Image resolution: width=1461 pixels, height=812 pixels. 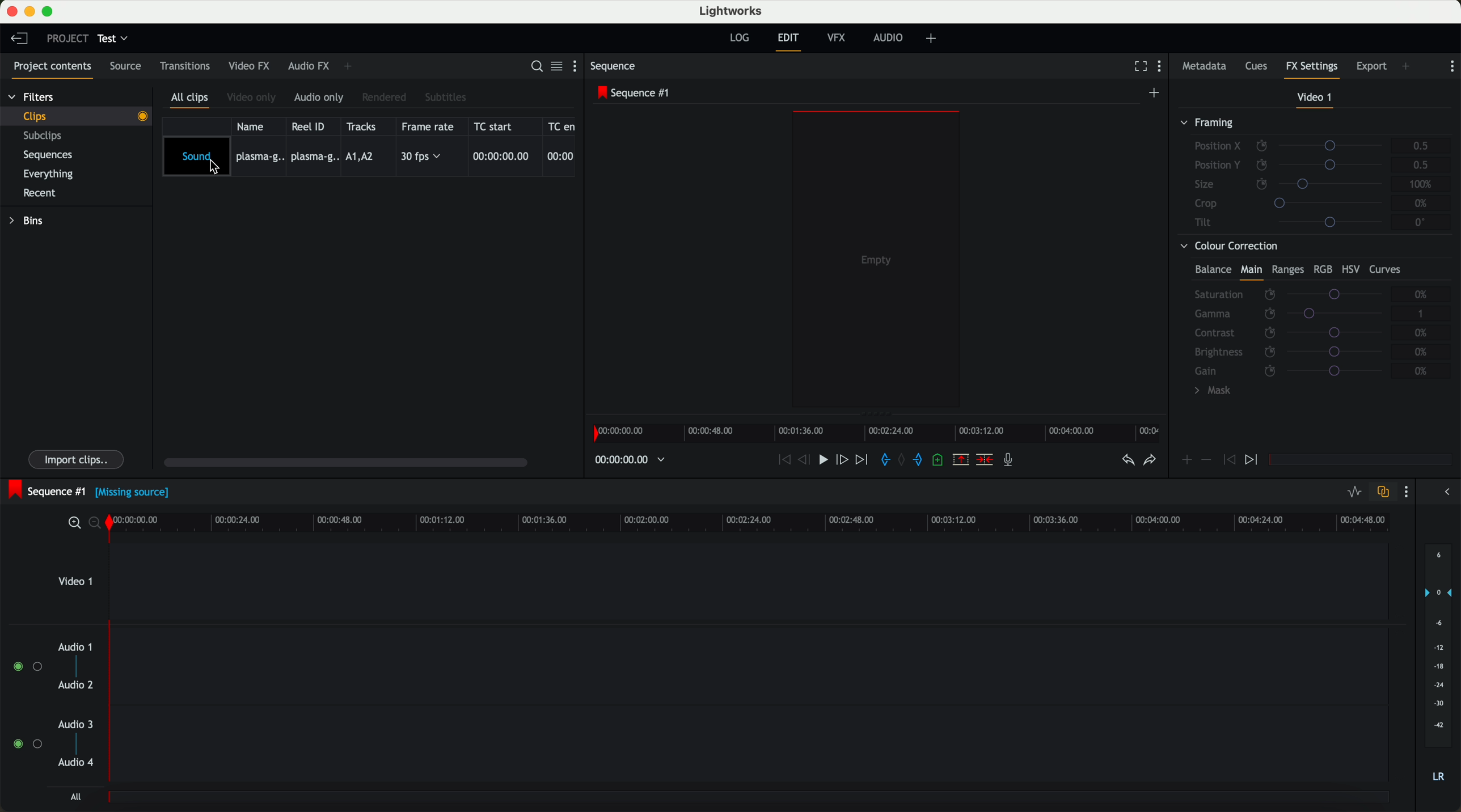 I want to click on exit, so click(x=788, y=42).